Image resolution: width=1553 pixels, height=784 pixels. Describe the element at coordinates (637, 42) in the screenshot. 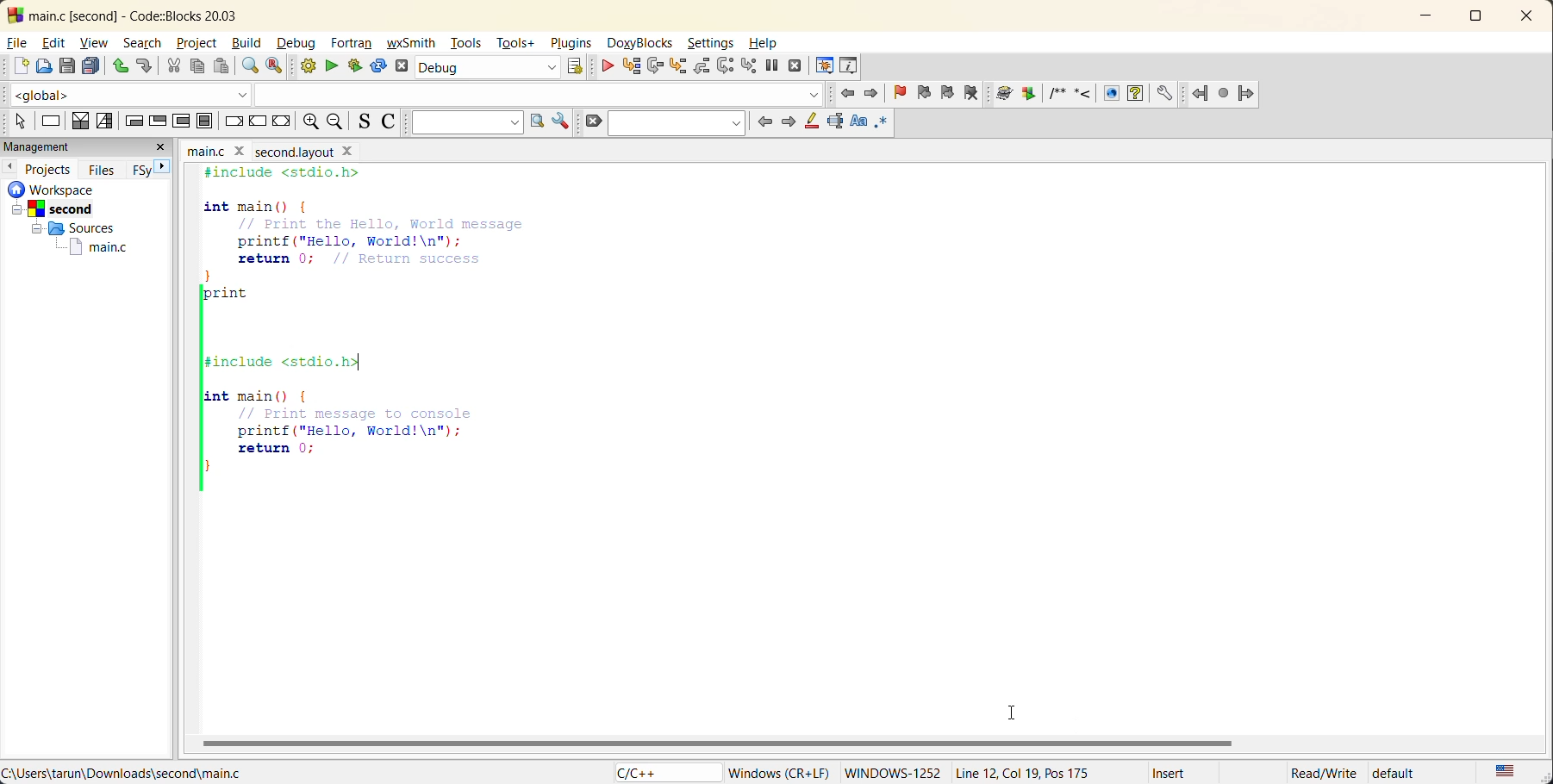

I see `doxyblocks` at that location.